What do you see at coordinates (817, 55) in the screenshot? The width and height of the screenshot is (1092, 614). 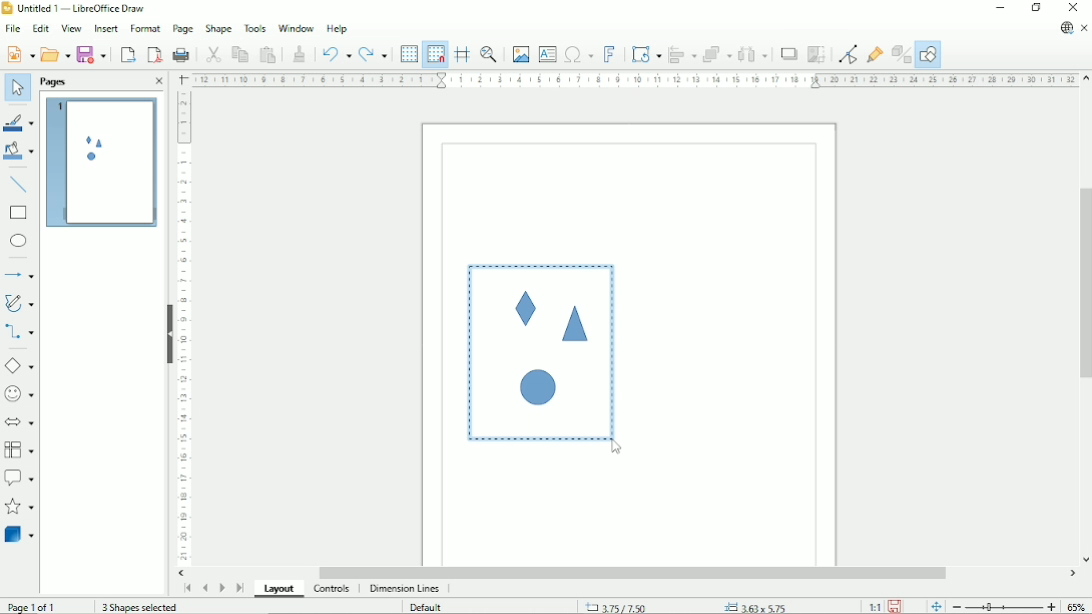 I see `Crop image` at bounding box center [817, 55].